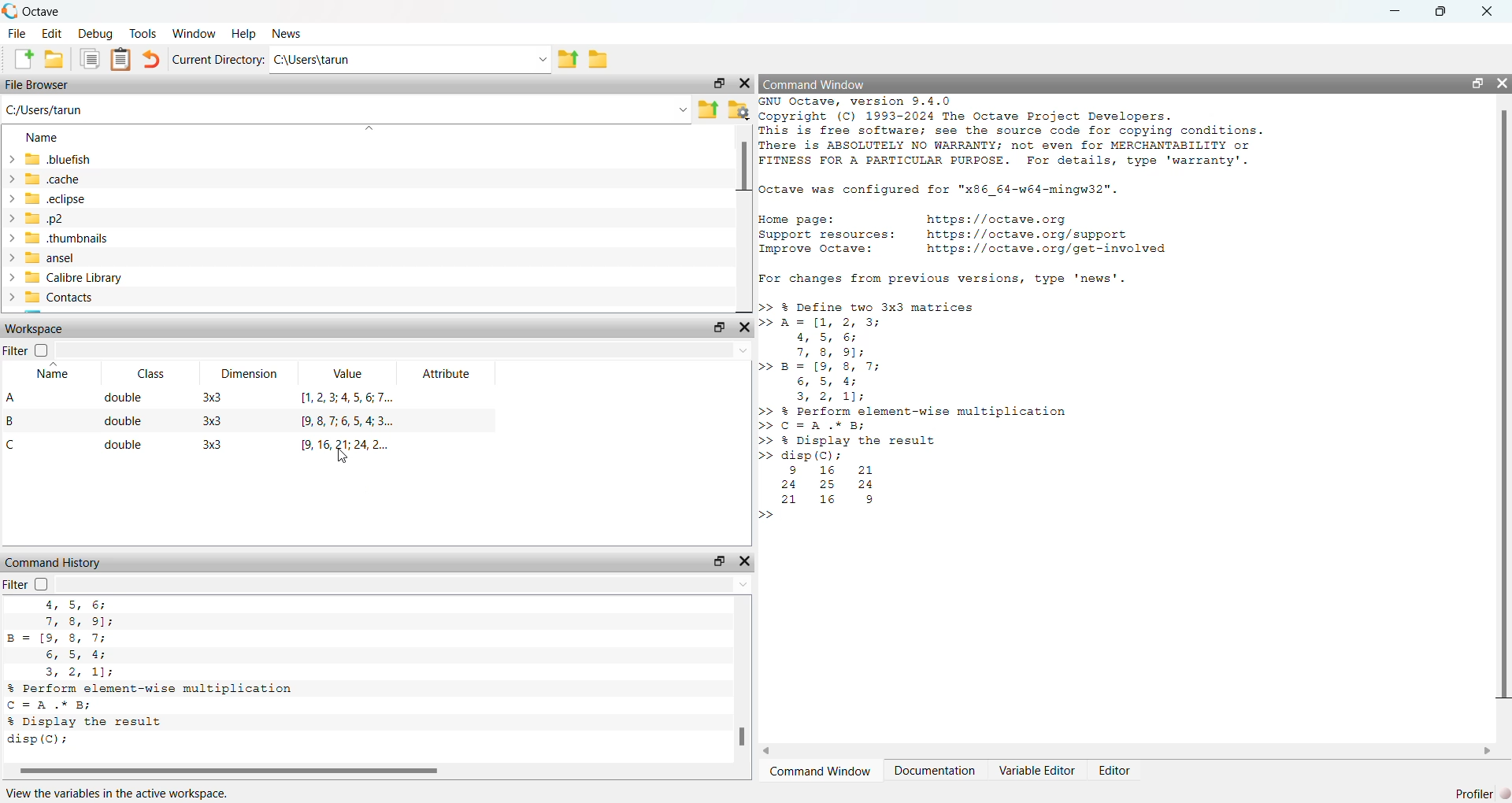 This screenshot has width=1512, height=803. I want to click on ‘Command Window, so click(821, 772).